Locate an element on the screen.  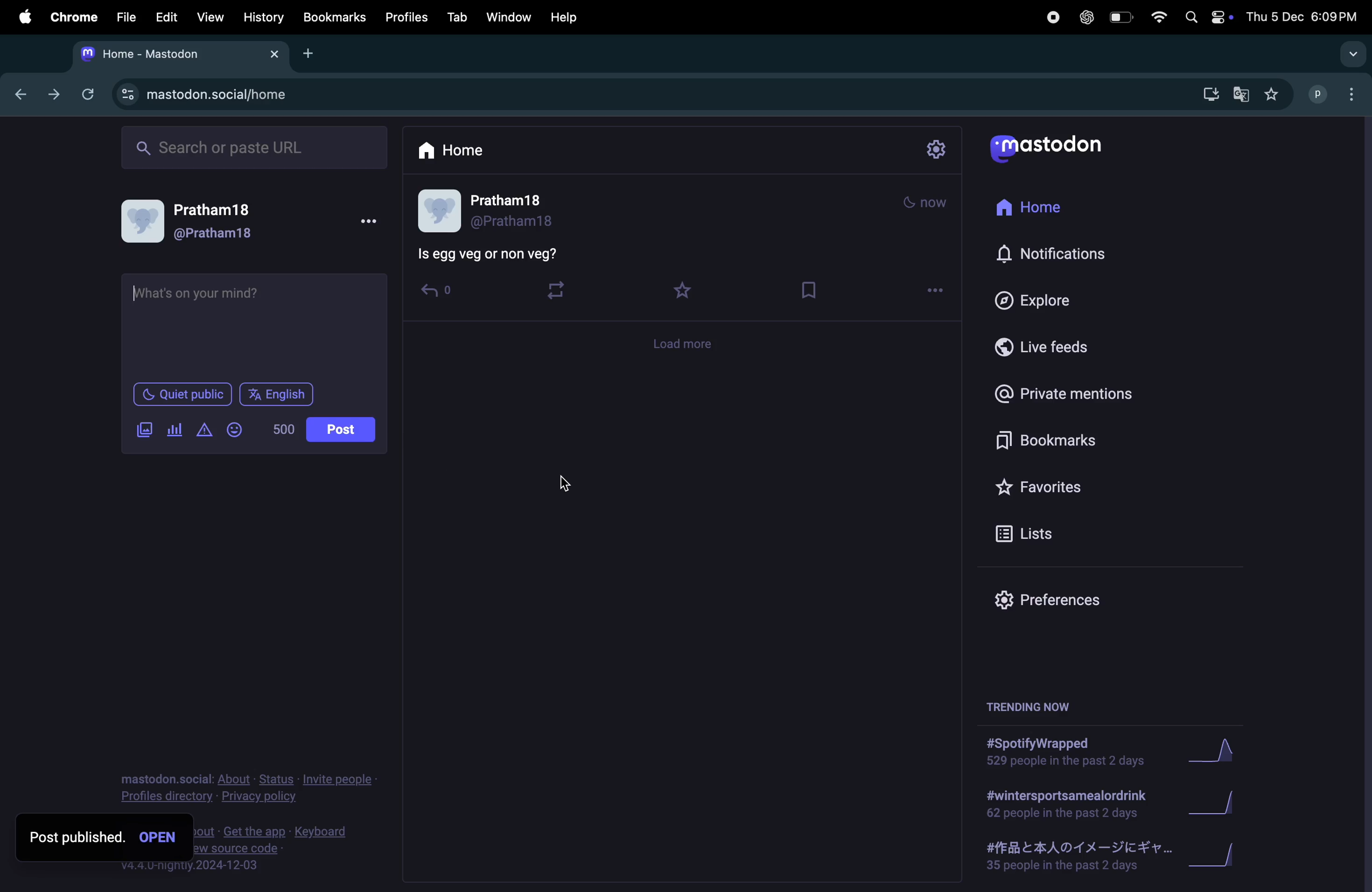
#spotifywrapped is located at coordinates (1069, 752).